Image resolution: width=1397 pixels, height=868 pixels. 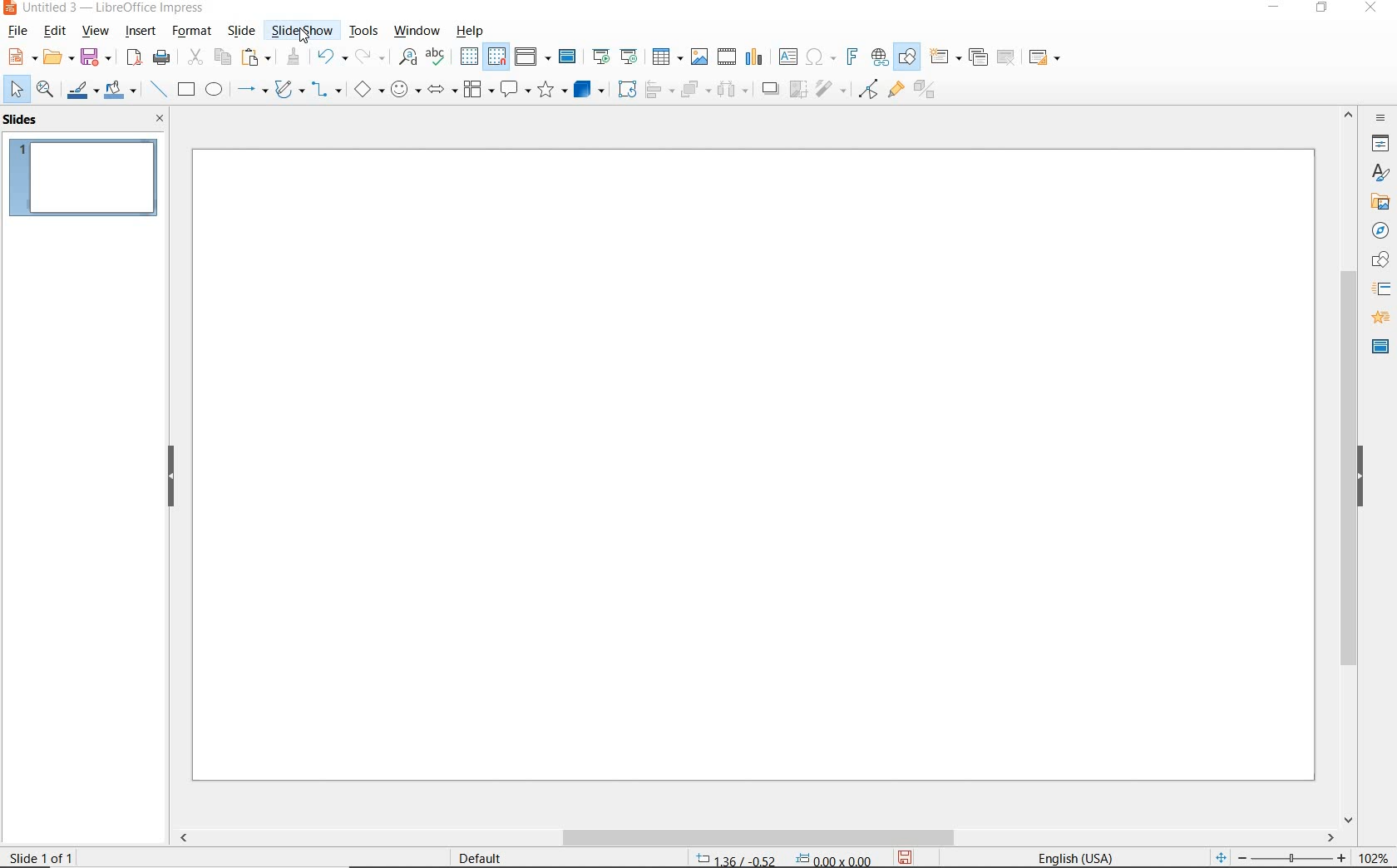 I want to click on ROTATE, so click(x=629, y=89).